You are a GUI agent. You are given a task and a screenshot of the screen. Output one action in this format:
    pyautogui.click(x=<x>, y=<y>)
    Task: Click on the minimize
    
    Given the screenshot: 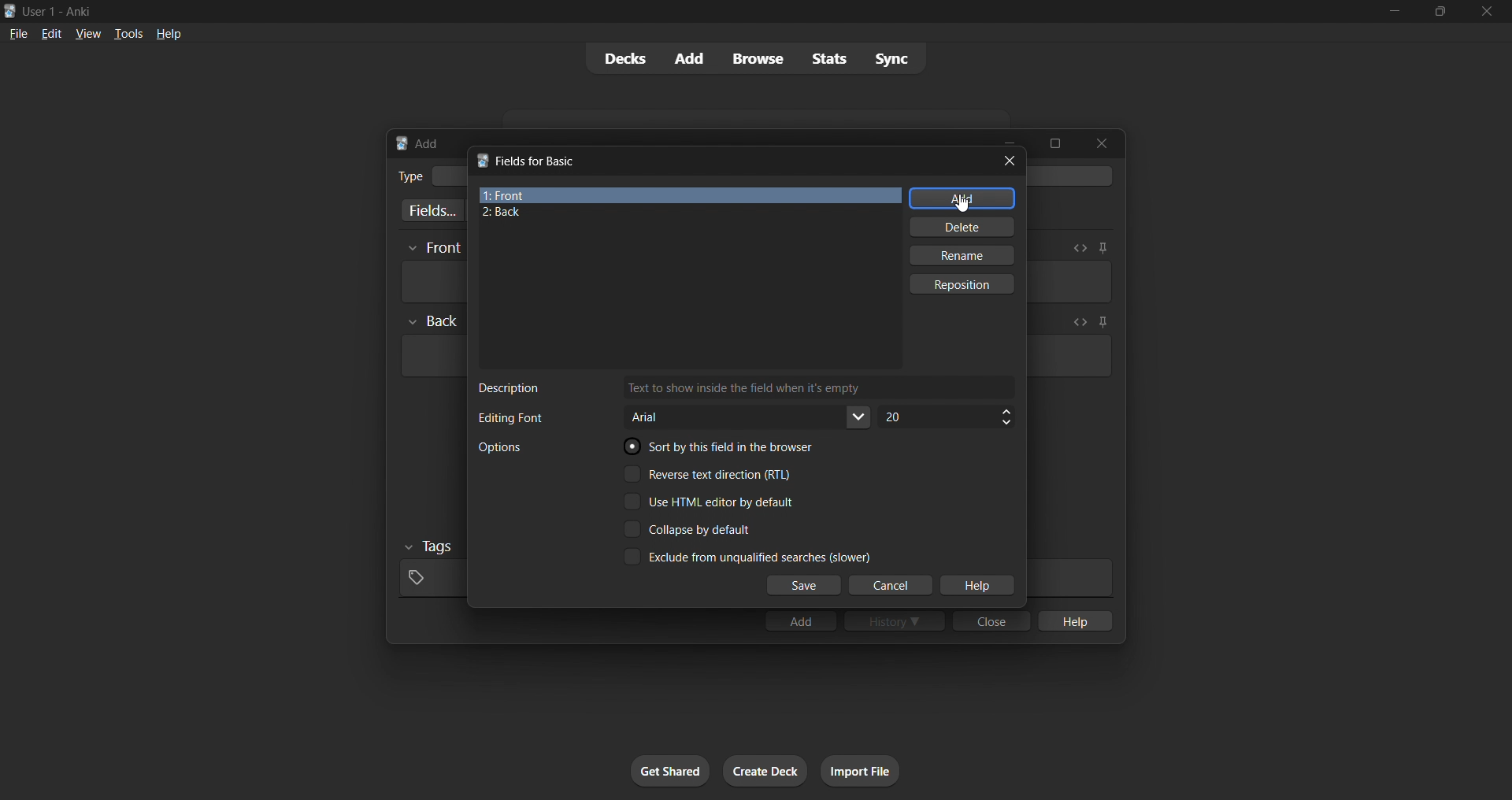 What is the action you would take?
    pyautogui.click(x=1394, y=12)
    